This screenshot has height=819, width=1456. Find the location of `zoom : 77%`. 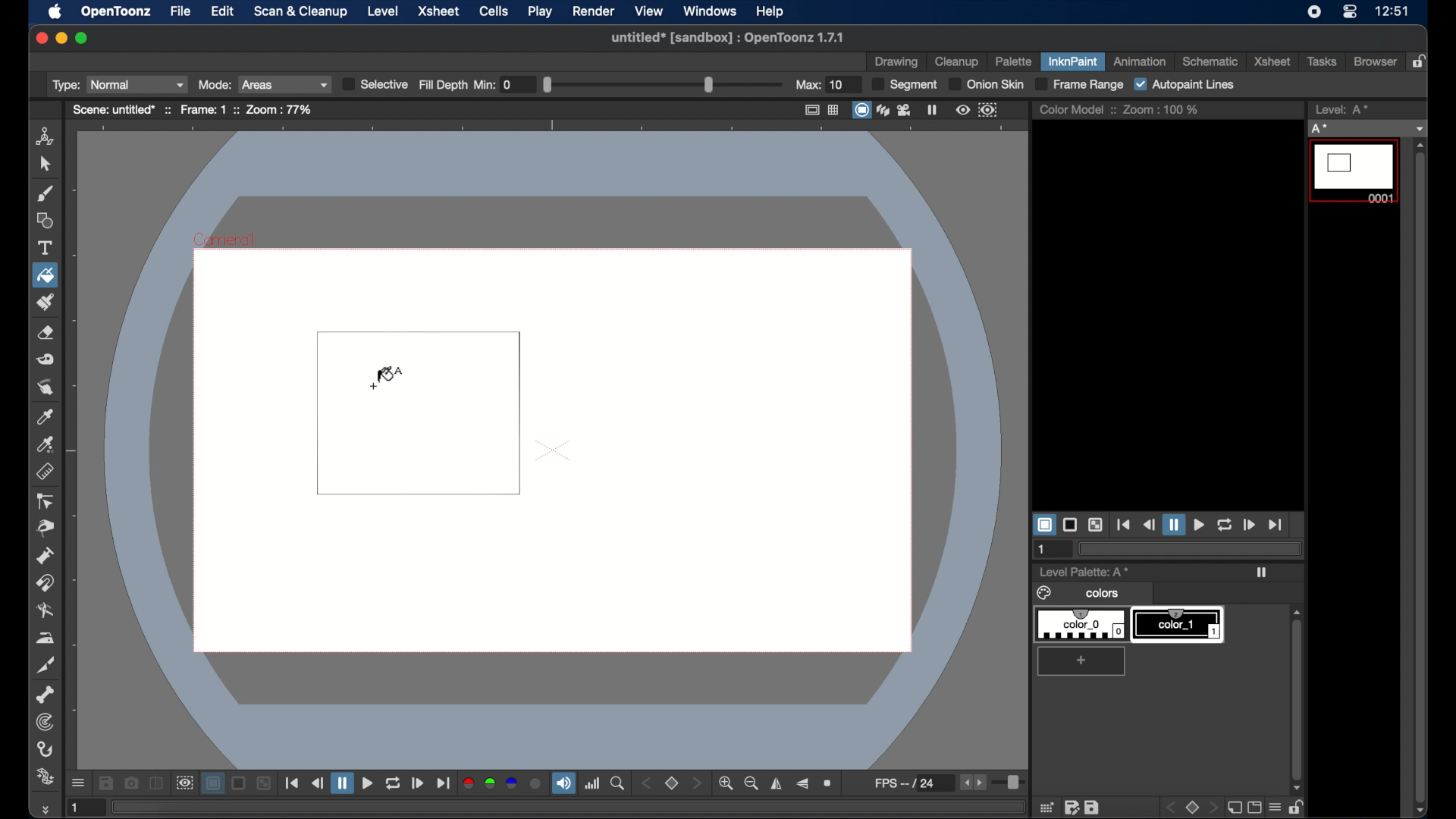

zoom : 77% is located at coordinates (276, 109).